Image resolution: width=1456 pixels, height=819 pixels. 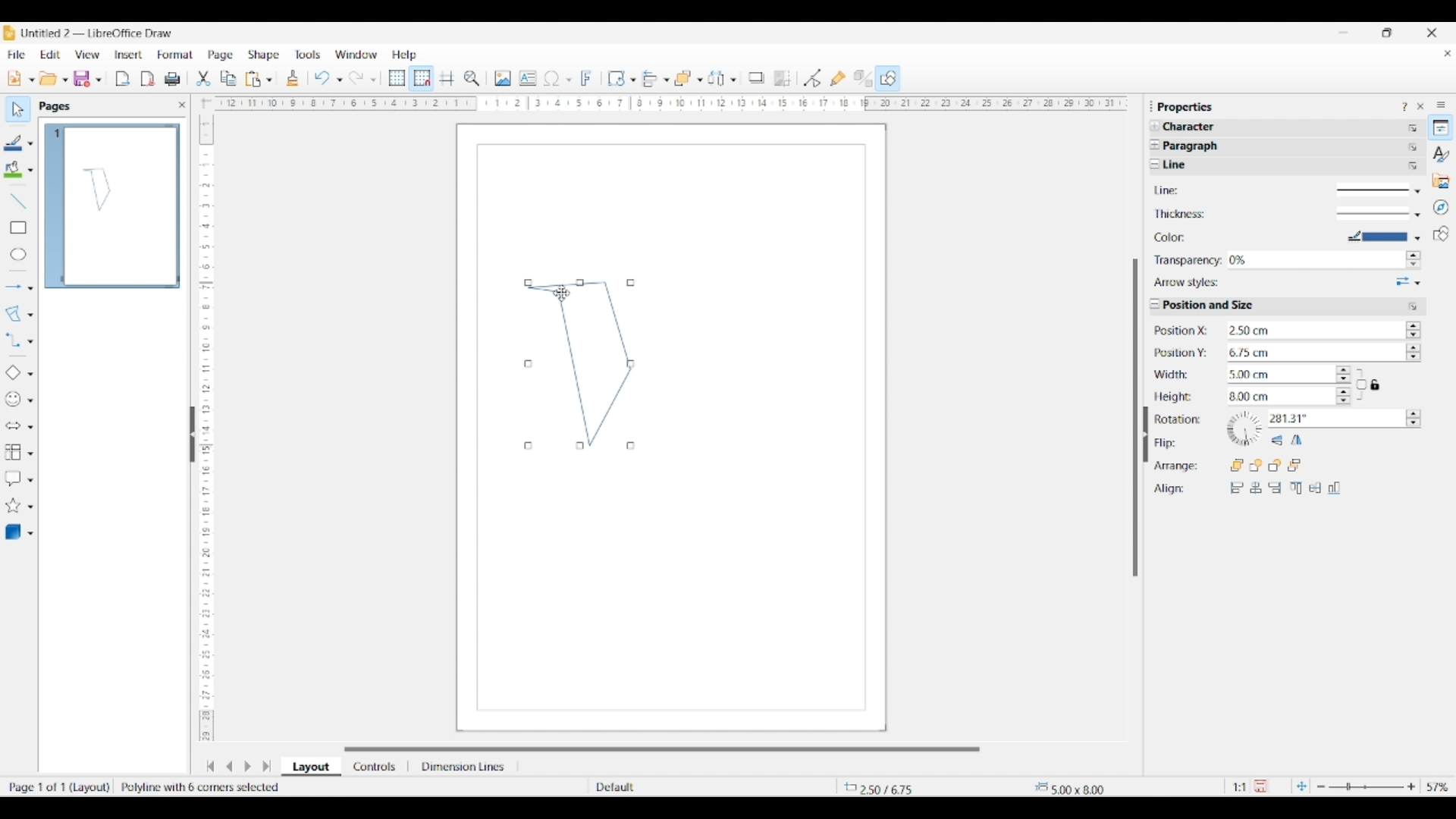 What do you see at coordinates (18, 254) in the screenshot?
I see `Ellipse` at bounding box center [18, 254].